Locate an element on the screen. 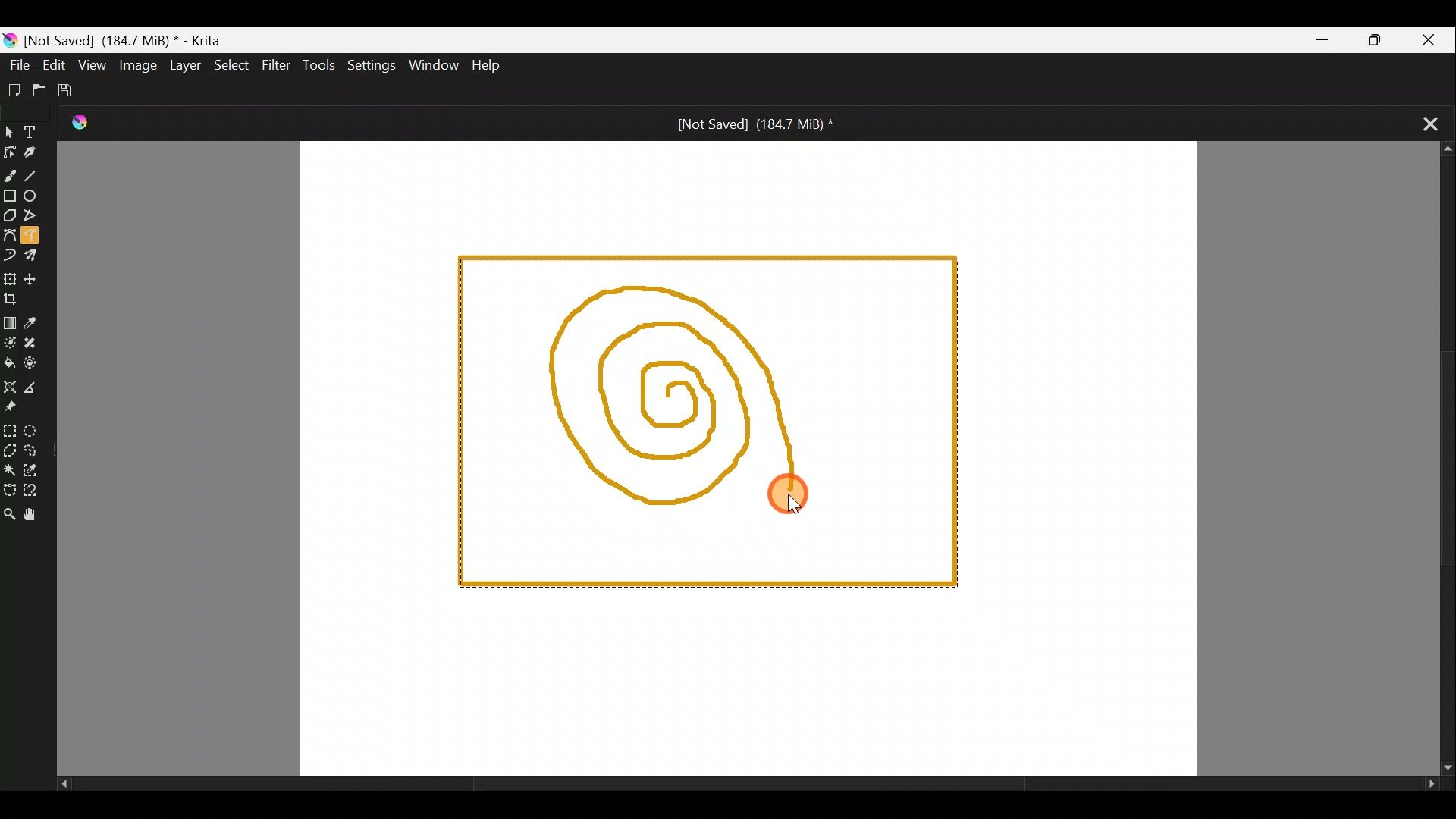 The height and width of the screenshot is (819, 1456). [Not Saved] (184.7 MiB) * is located at coordinates (759, 124).